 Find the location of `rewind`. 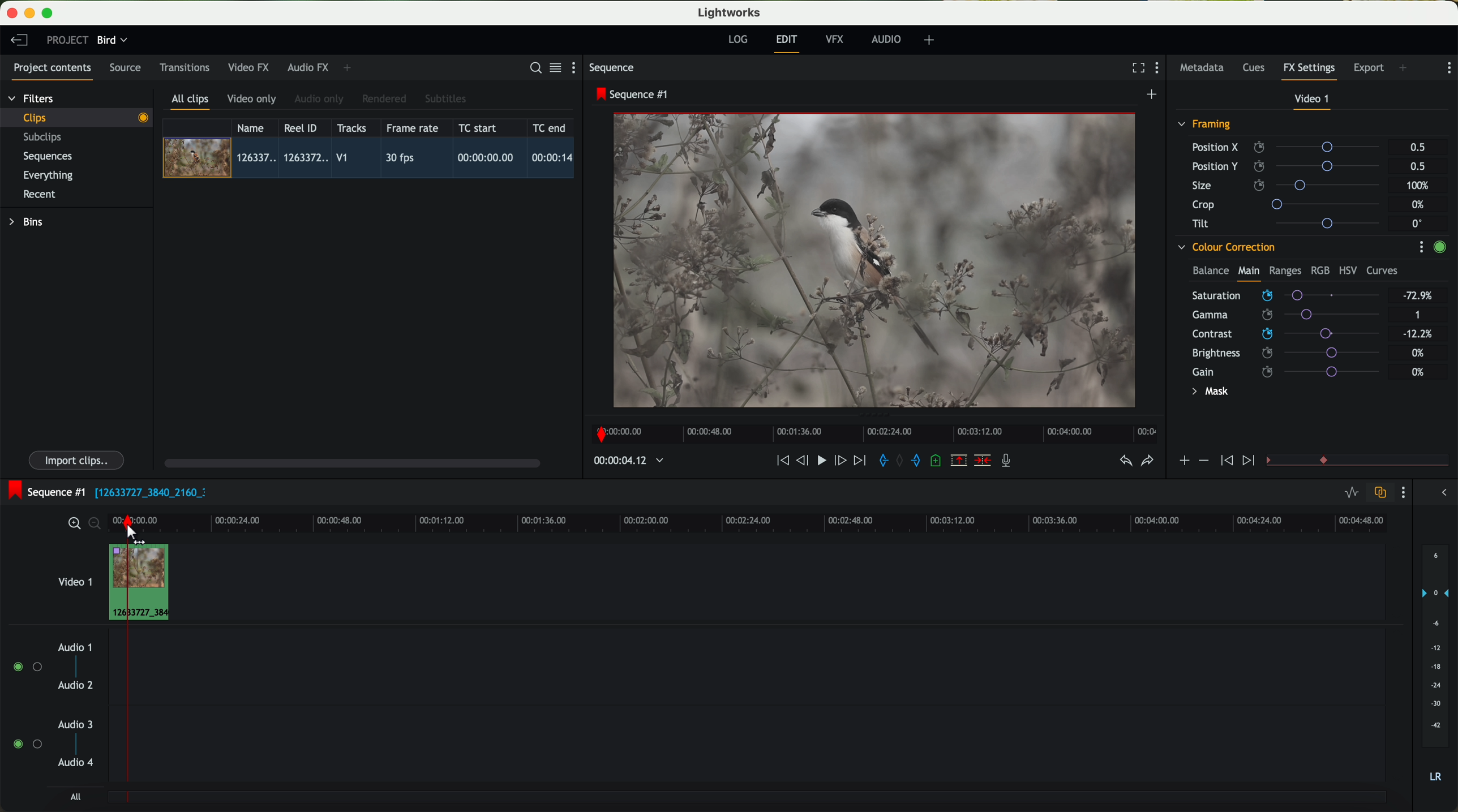

rewind is located at coordinates (782, 461).